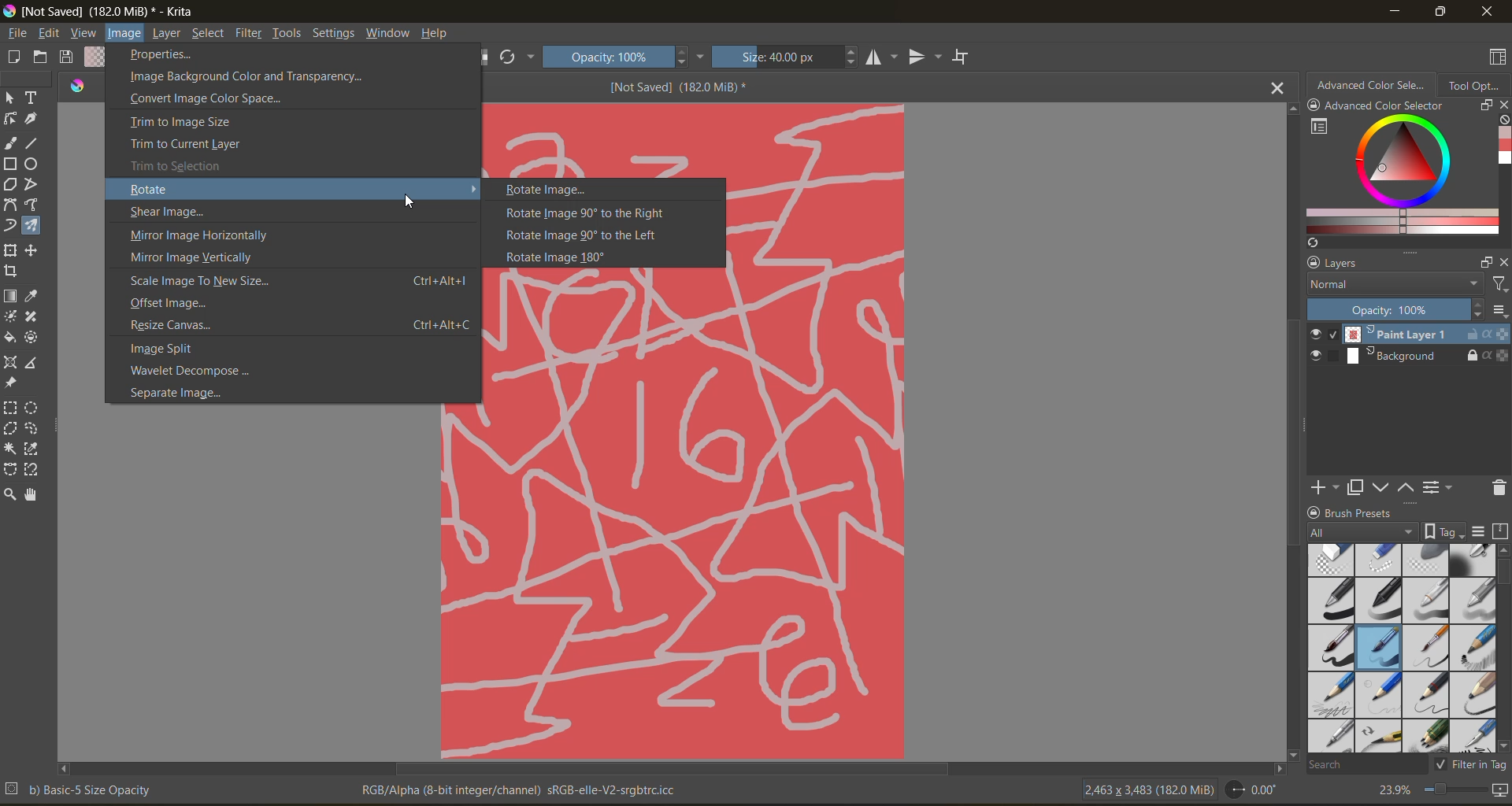 The height and width of the screenshot is (806, 1512). What do you see at coordinates (474, 187) in the screenshot?
I see `Arrow` at bounding box center [474, 187].